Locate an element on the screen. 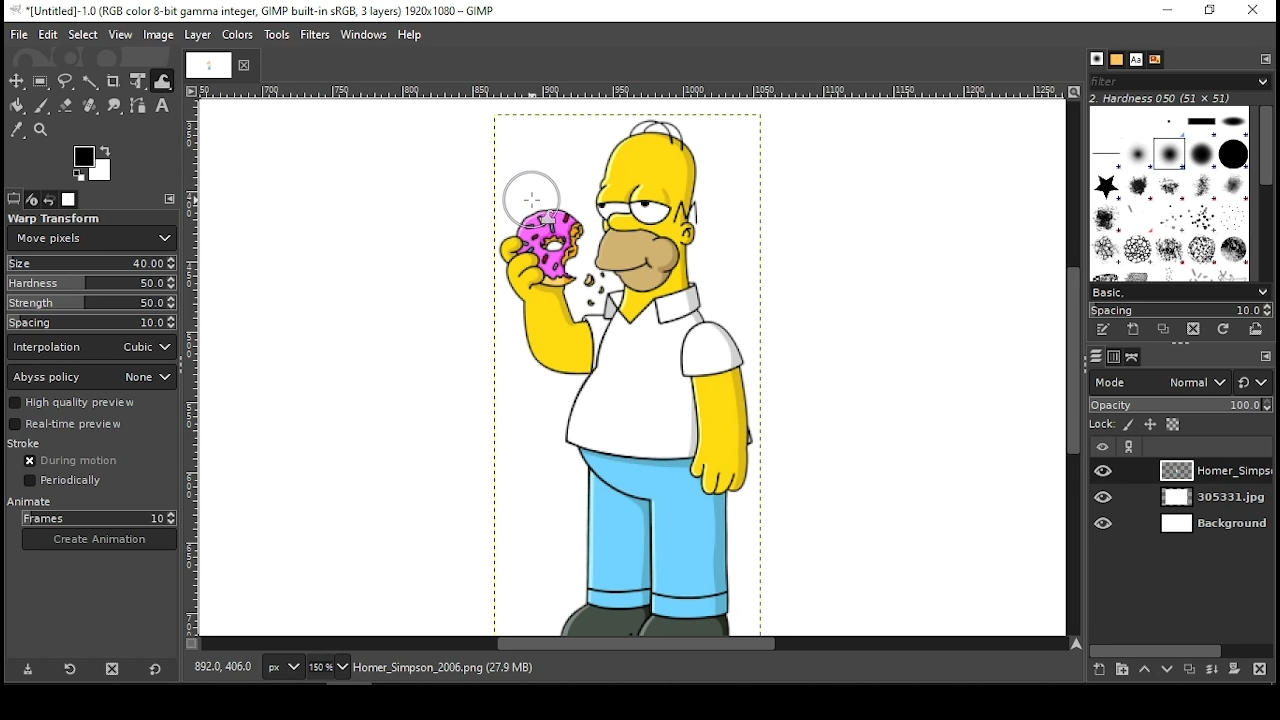 This screenshot has width=1280, height=720. fuzzy select tool is located at coordinates (91, 81).